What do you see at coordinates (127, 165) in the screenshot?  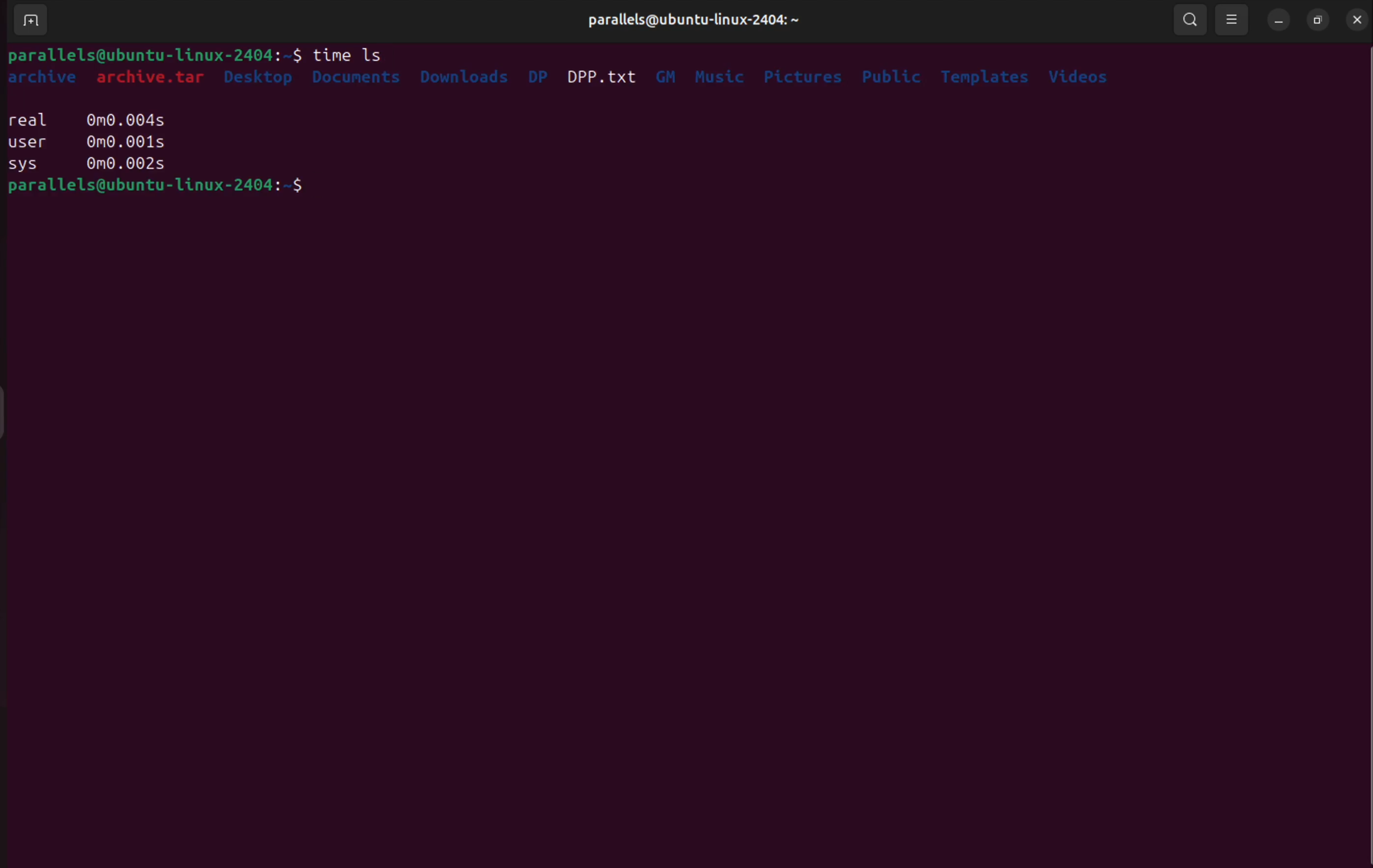 I see `0m0.002s` at bounding box center [127, 165].